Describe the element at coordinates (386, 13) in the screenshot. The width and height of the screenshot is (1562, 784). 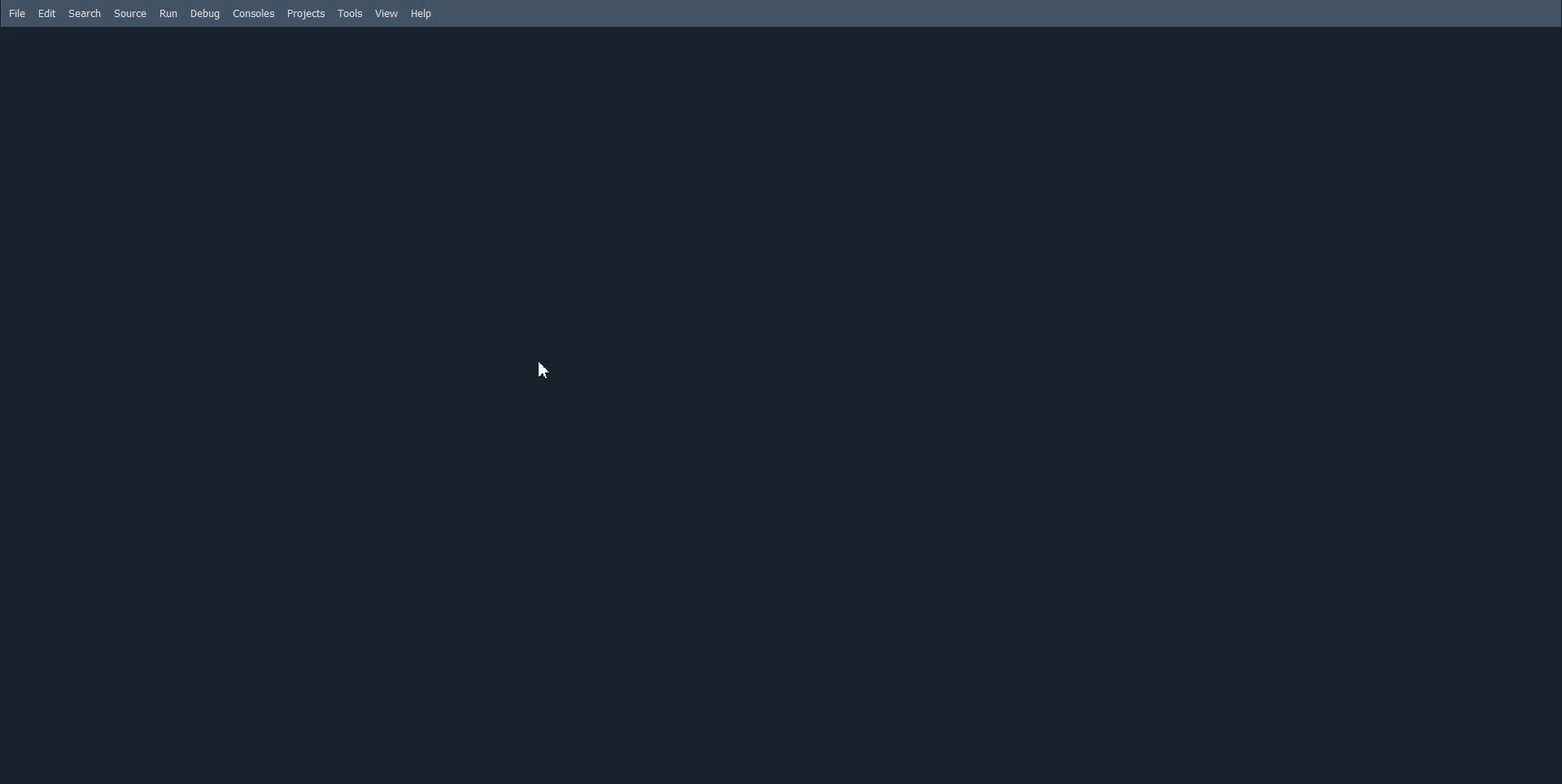
I see `View` at that location.